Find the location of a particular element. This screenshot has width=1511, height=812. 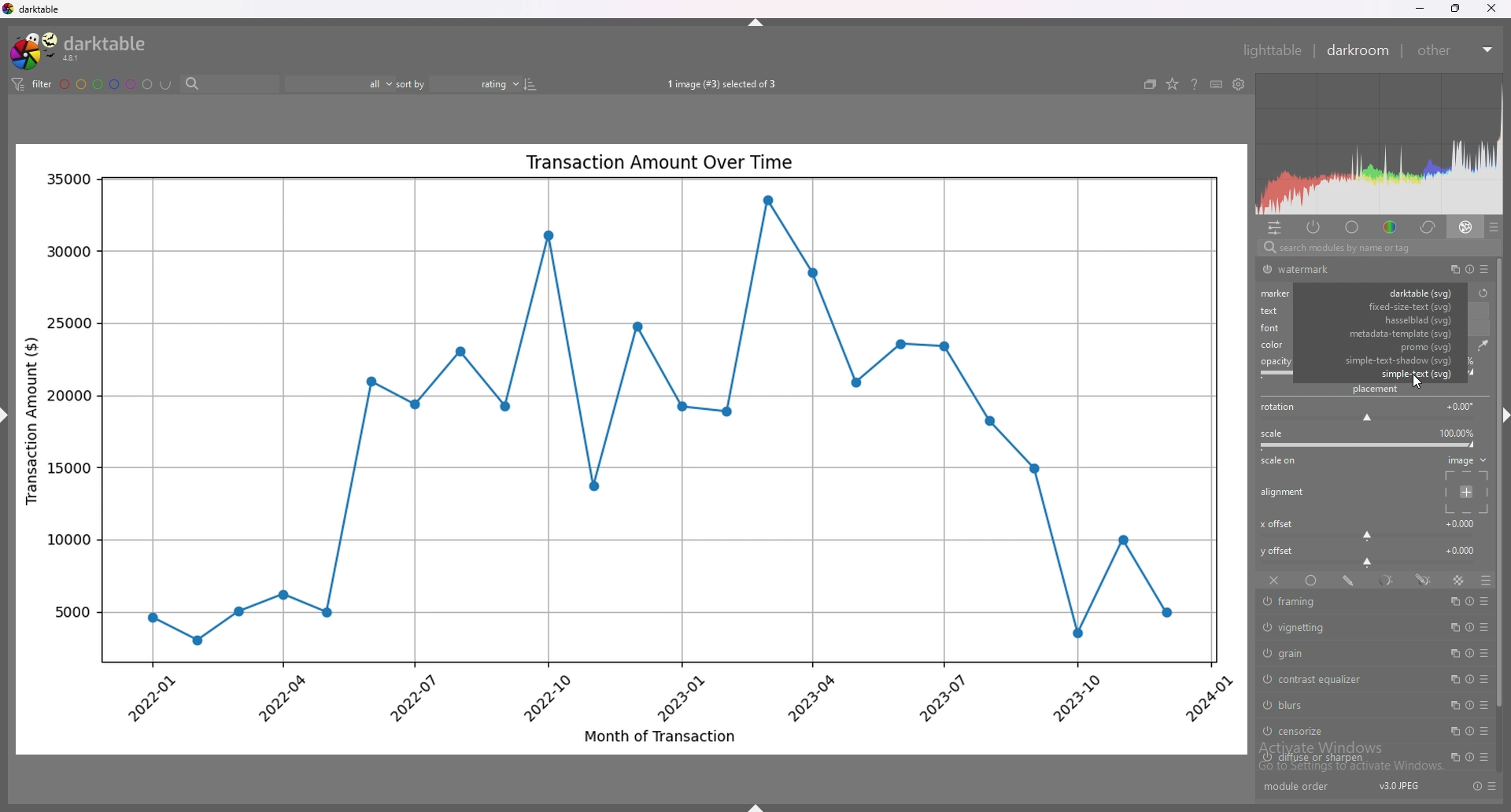

y offset bar is located at coordinates (1369, 563).